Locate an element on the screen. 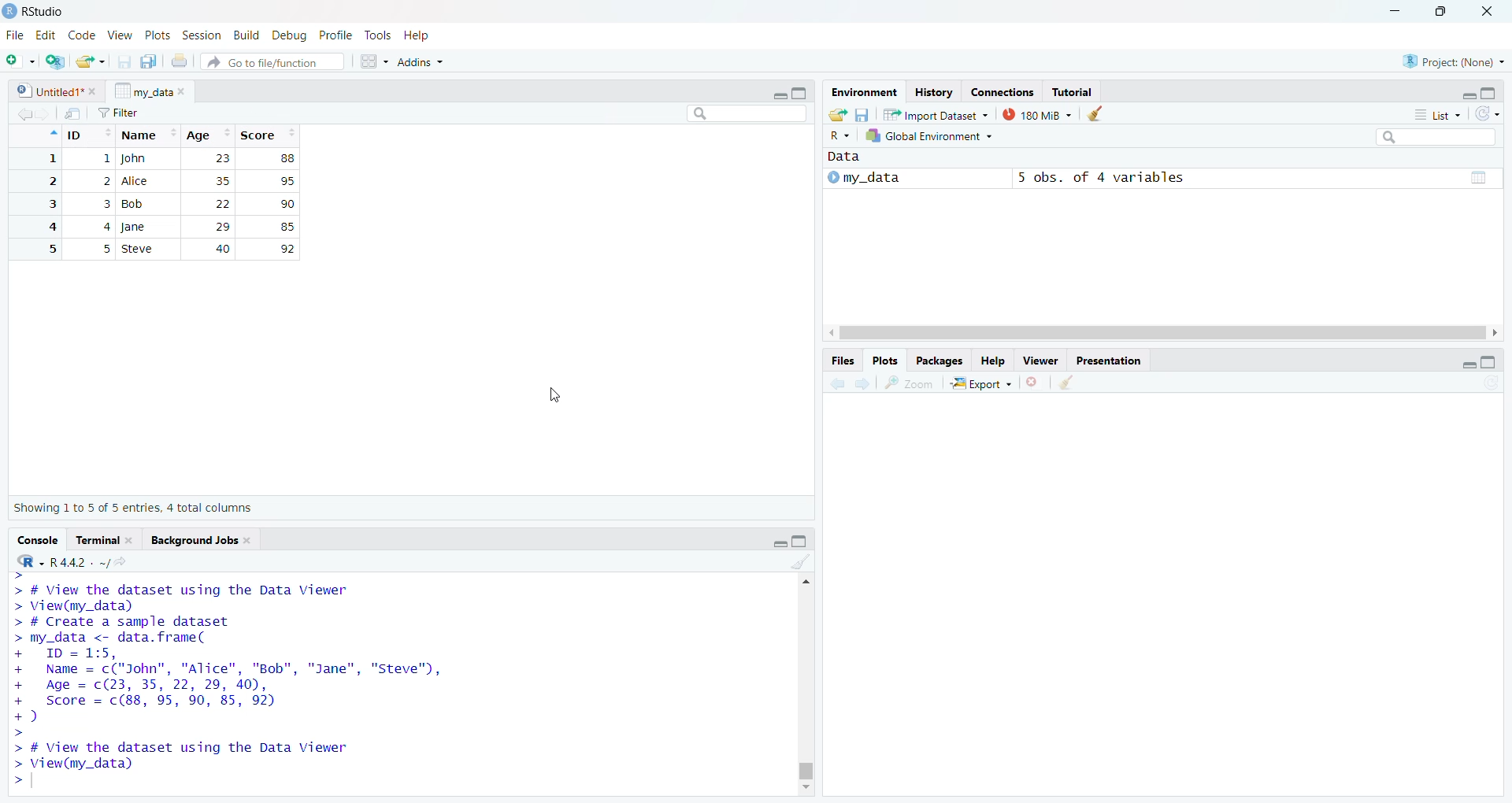 The height and width of the screenshot is (803, 1512). Showing 1 to 5 of 5 entries, 4 total columns is located at coordinates (133, 509).